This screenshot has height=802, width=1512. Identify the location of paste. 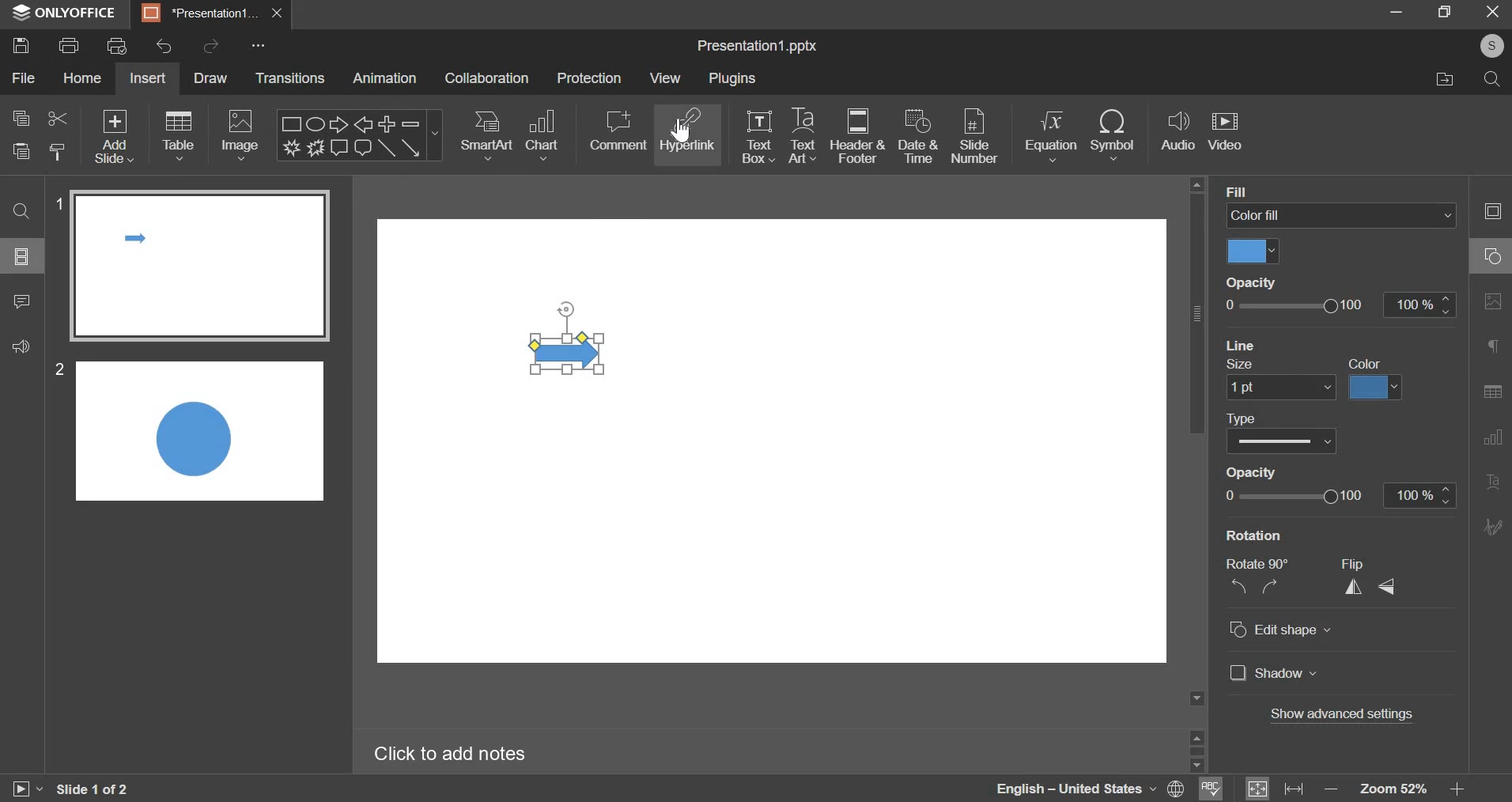
(22, 150).